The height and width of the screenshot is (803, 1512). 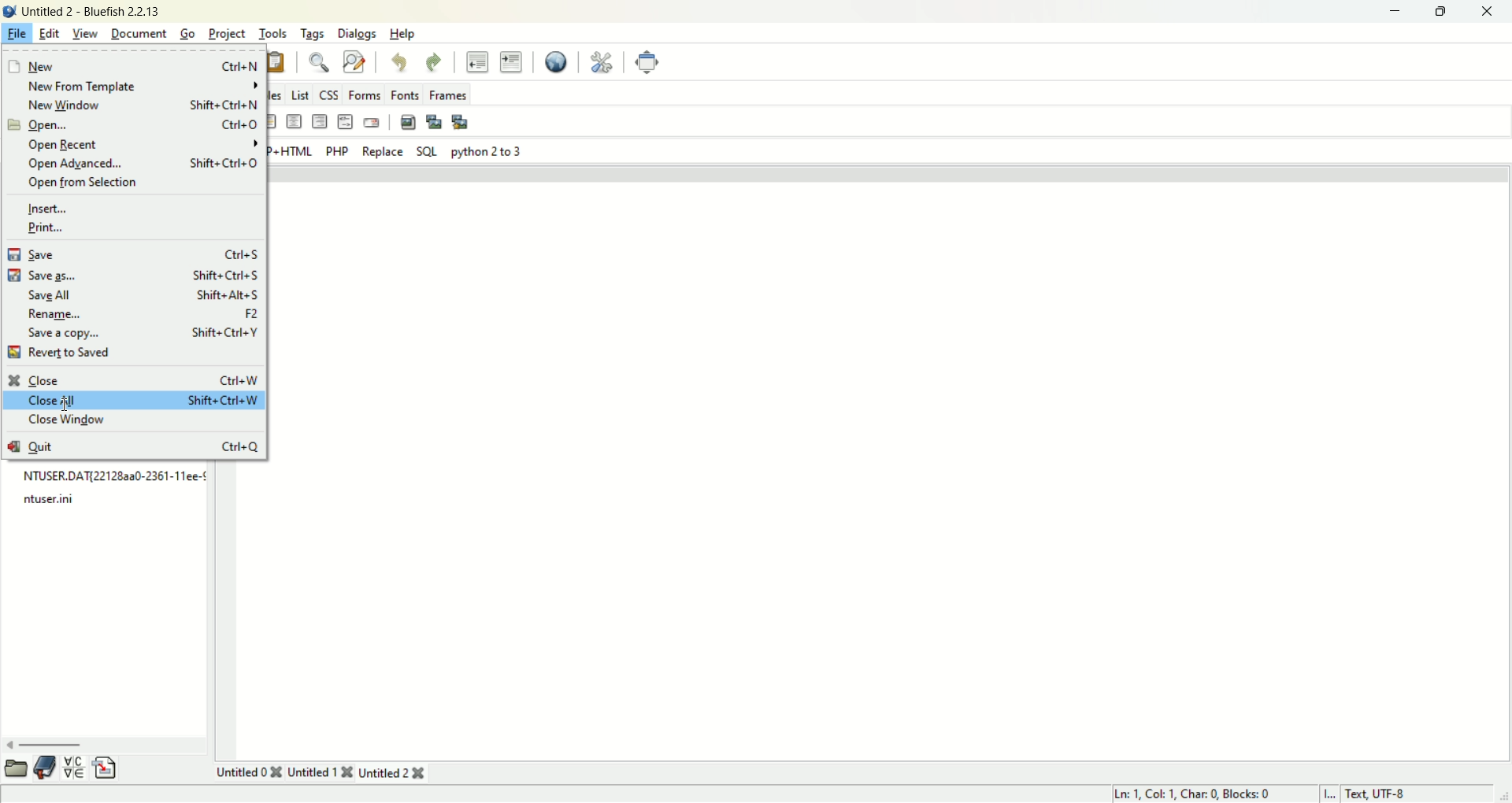 I want to click on PHP+HTML, so click(x=291, y=153).